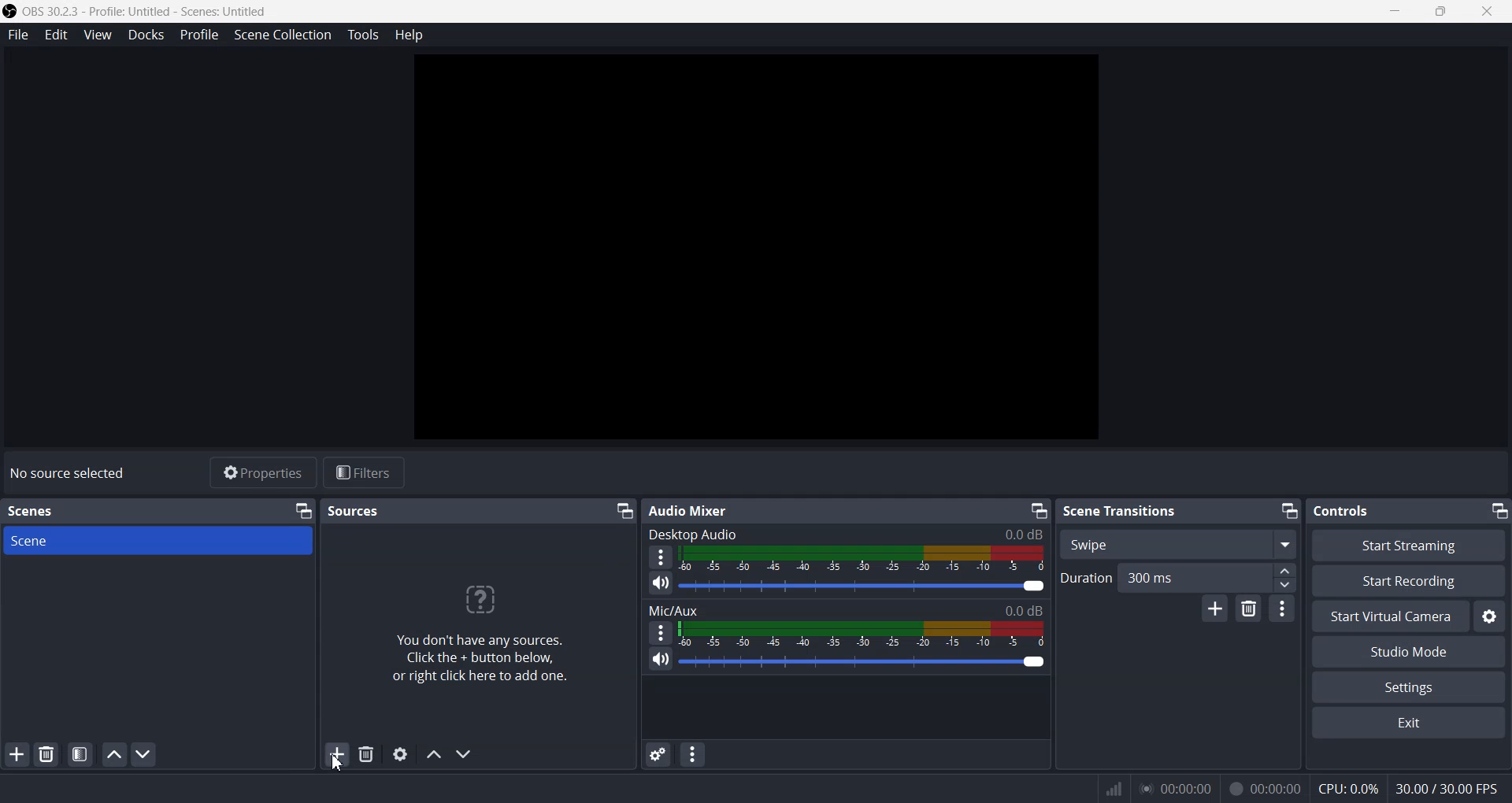  I want to click on Settings, so click(1490, 616).